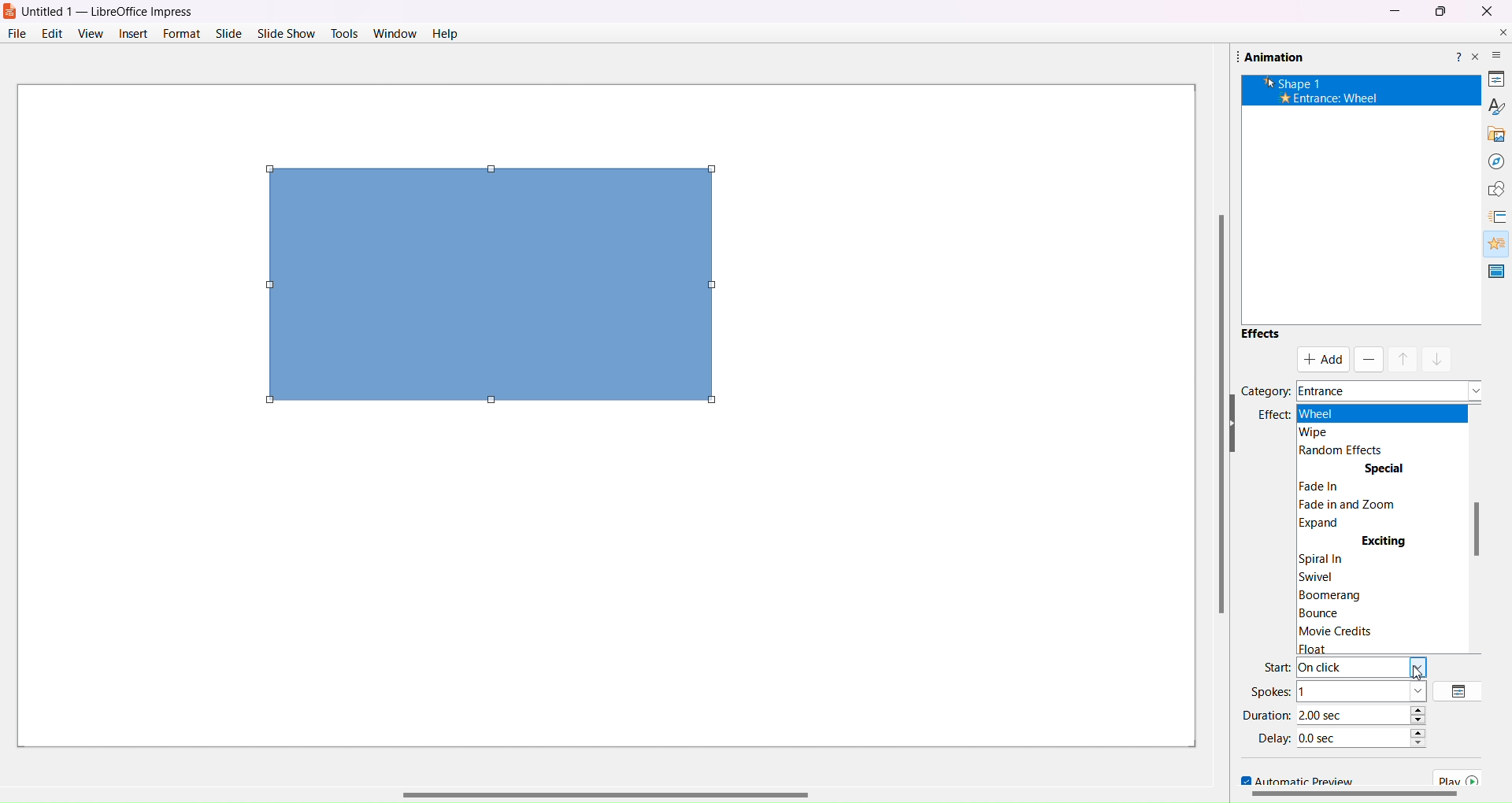 The width and height of the screenshot is (1512, 803). Describe the element at coordinates (1367, 360) in the screenshot. I see `Remove` at that location.